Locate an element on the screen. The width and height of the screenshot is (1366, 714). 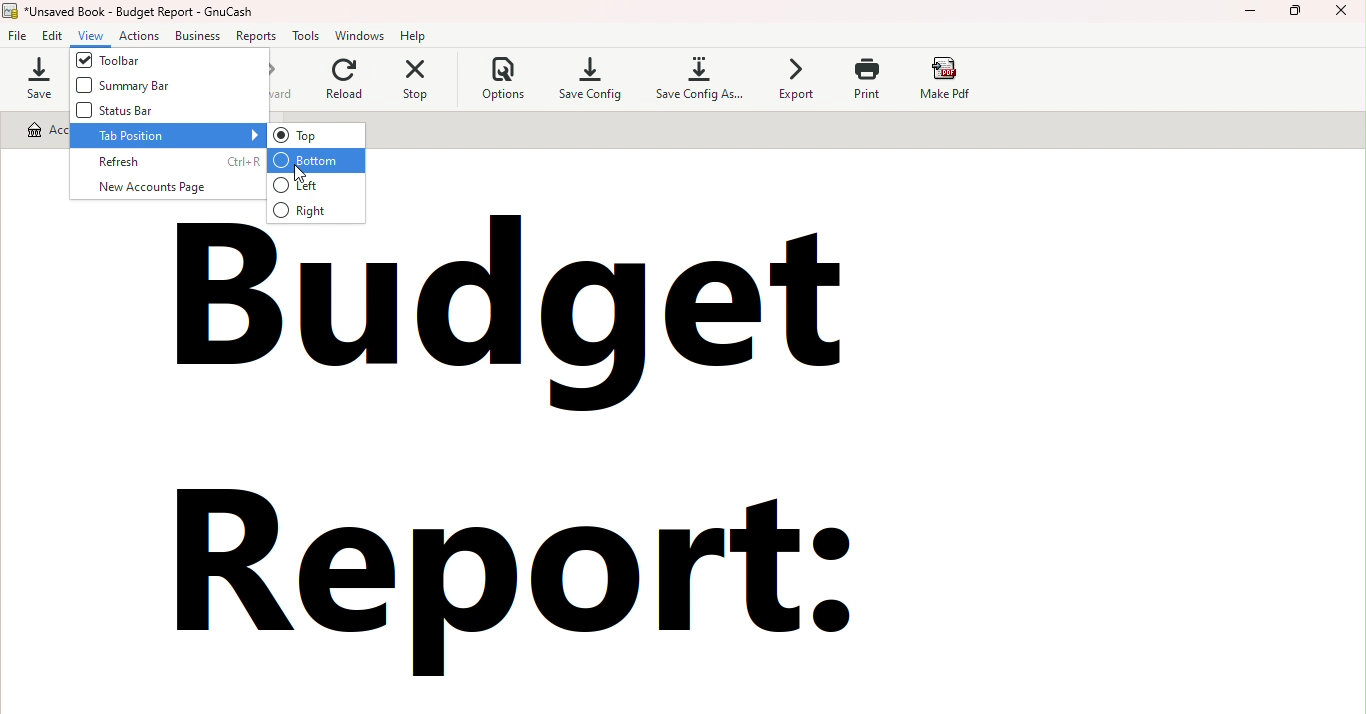
Right is located at coordinates (316, 210).